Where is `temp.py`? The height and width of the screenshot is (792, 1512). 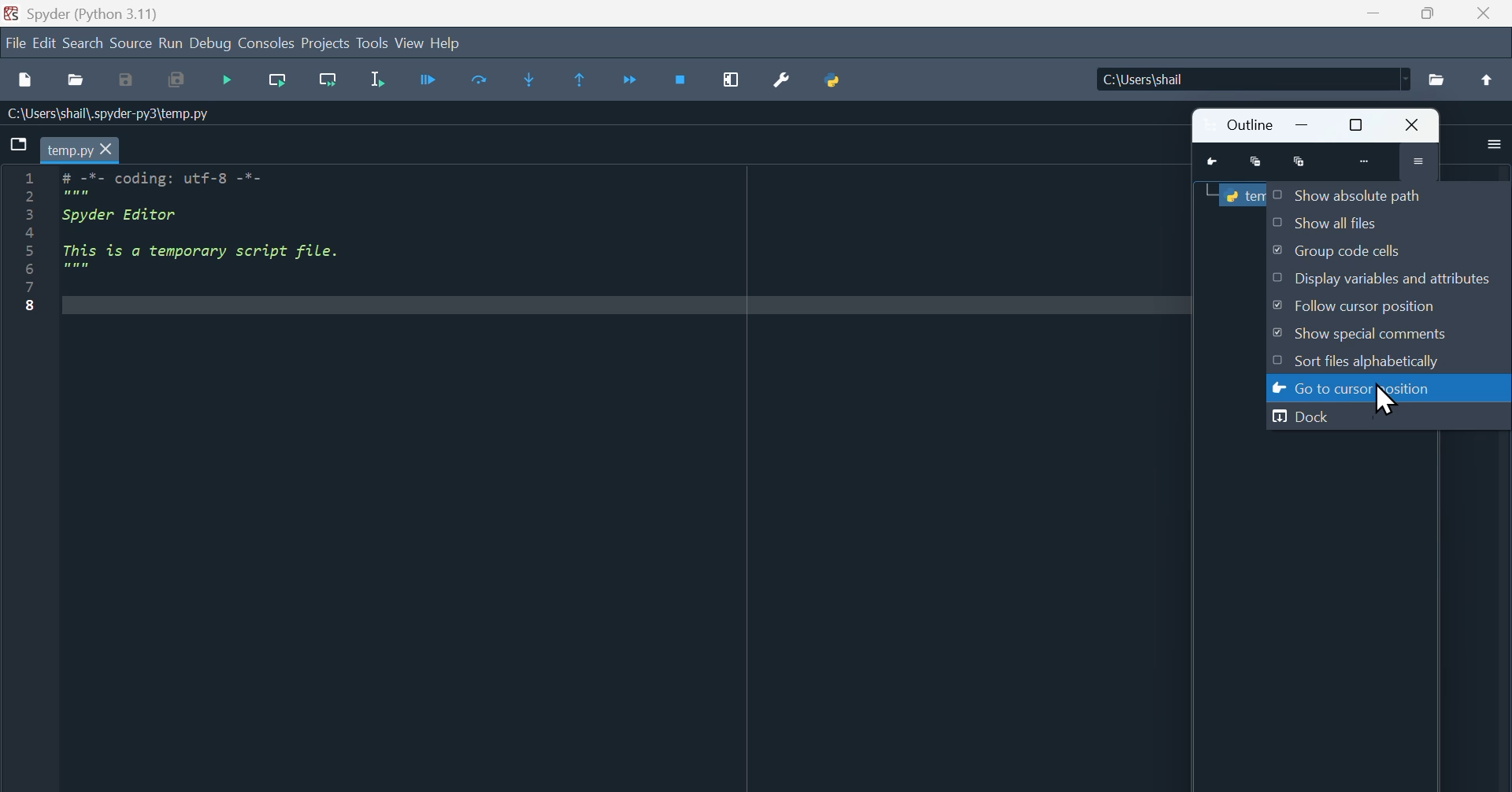 temp.py is located at coordinates (80, 149).